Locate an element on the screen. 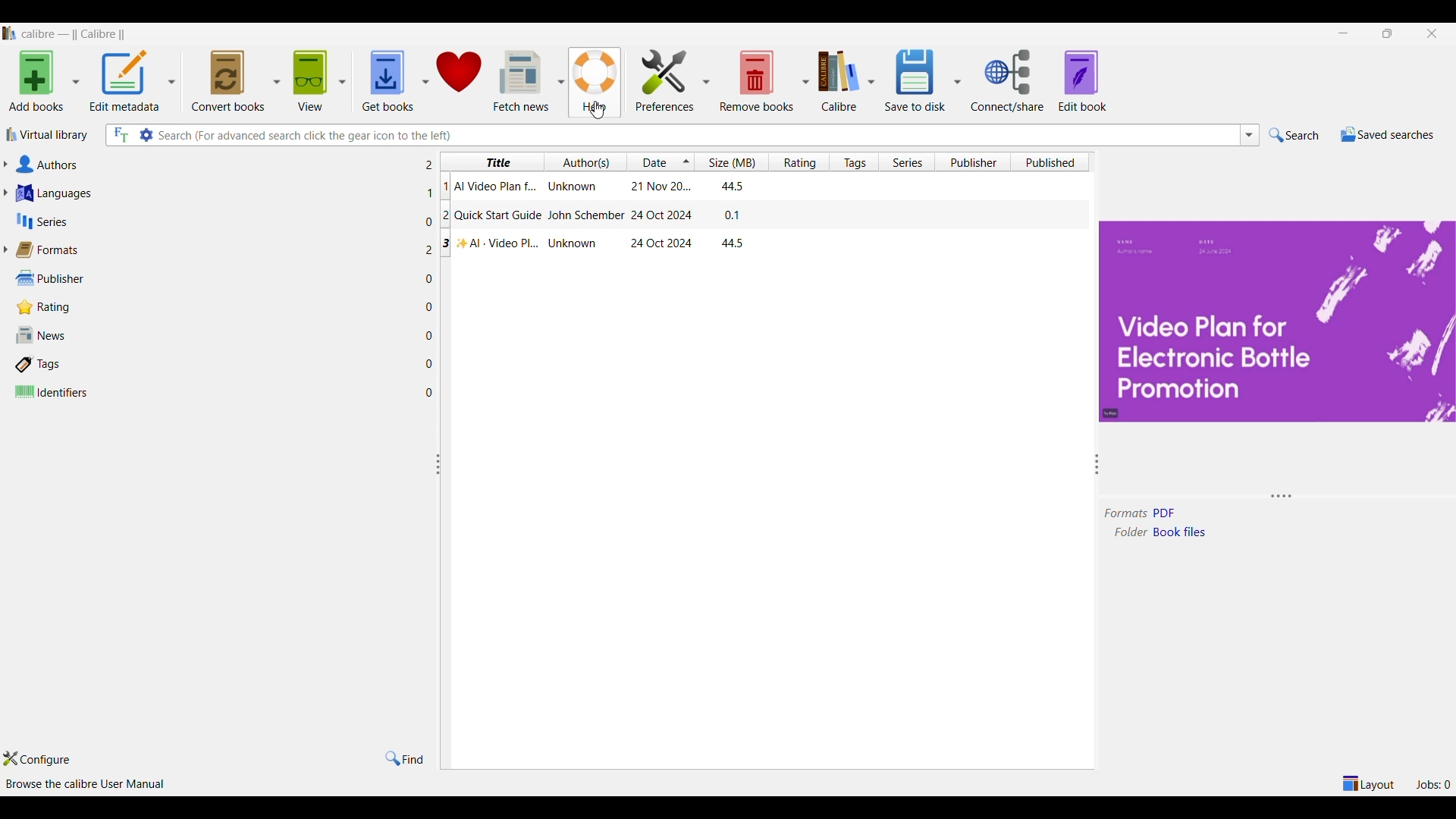 Image resolution: width=1456 pixels, height=819 pixels. Preferences is located at coordinates (663, 81).